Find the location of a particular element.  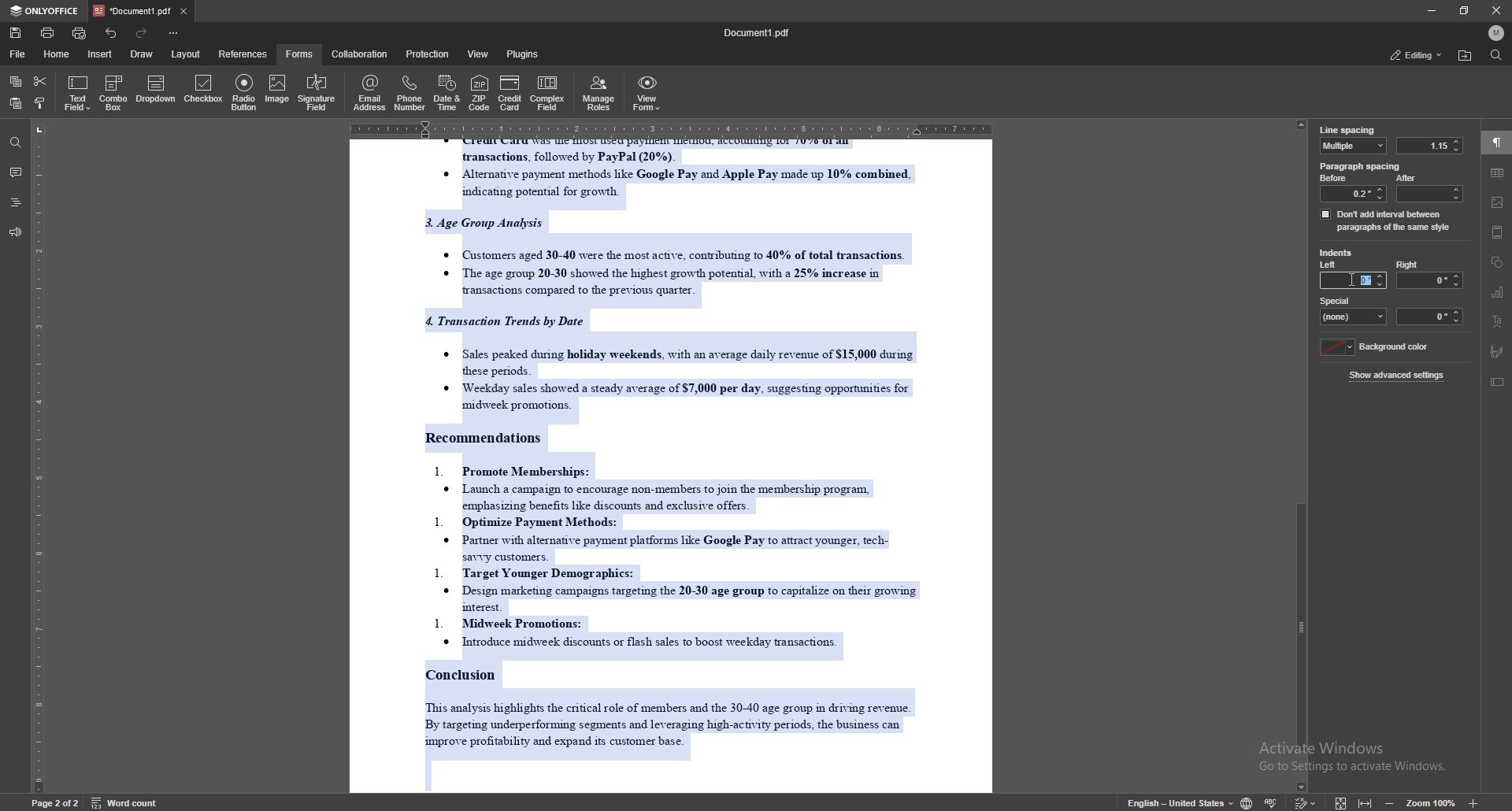

forms is located at coordinates (301, 54).